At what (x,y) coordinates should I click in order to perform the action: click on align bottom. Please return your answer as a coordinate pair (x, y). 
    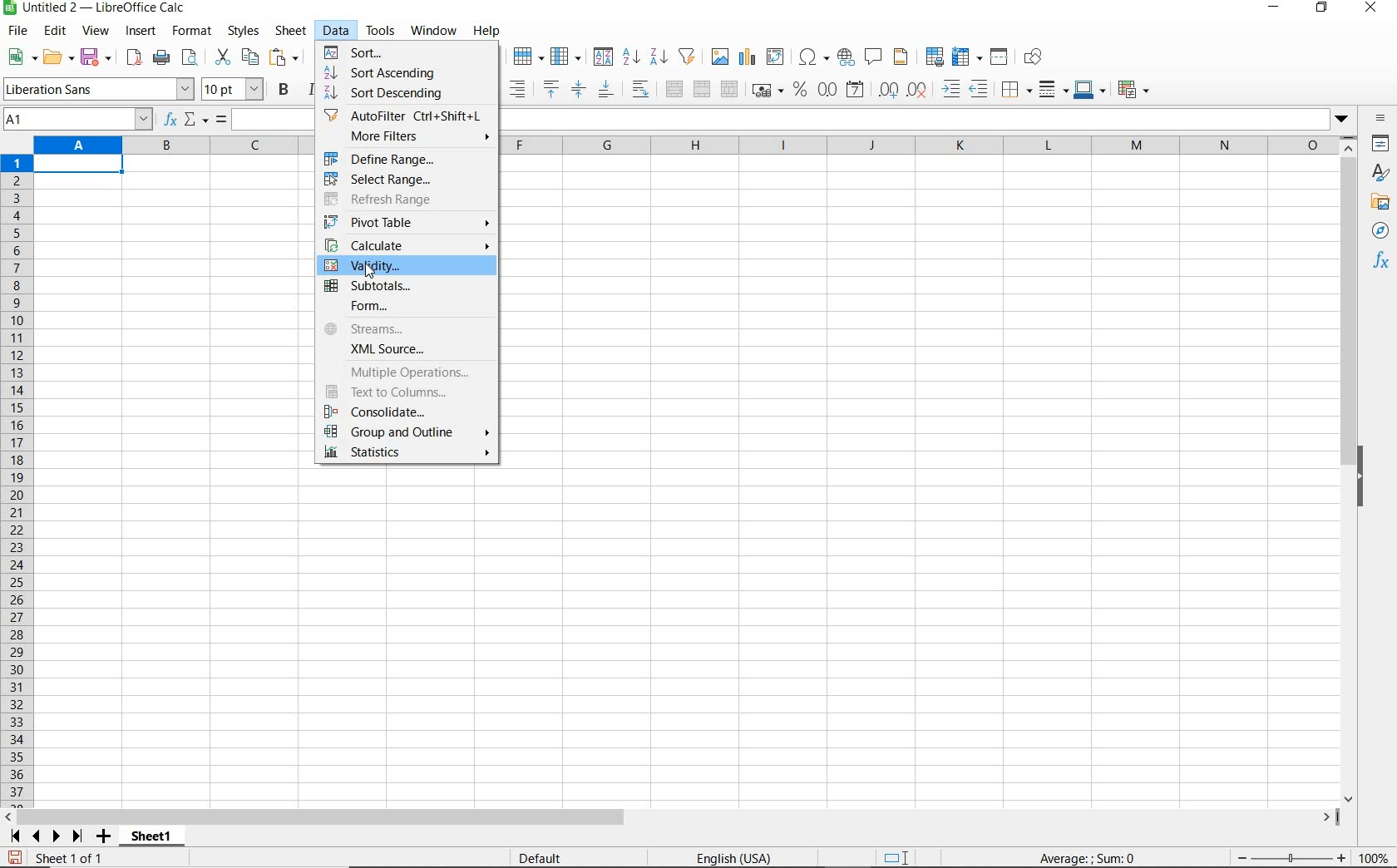
    Looking at the image, I should click on (605, 91).